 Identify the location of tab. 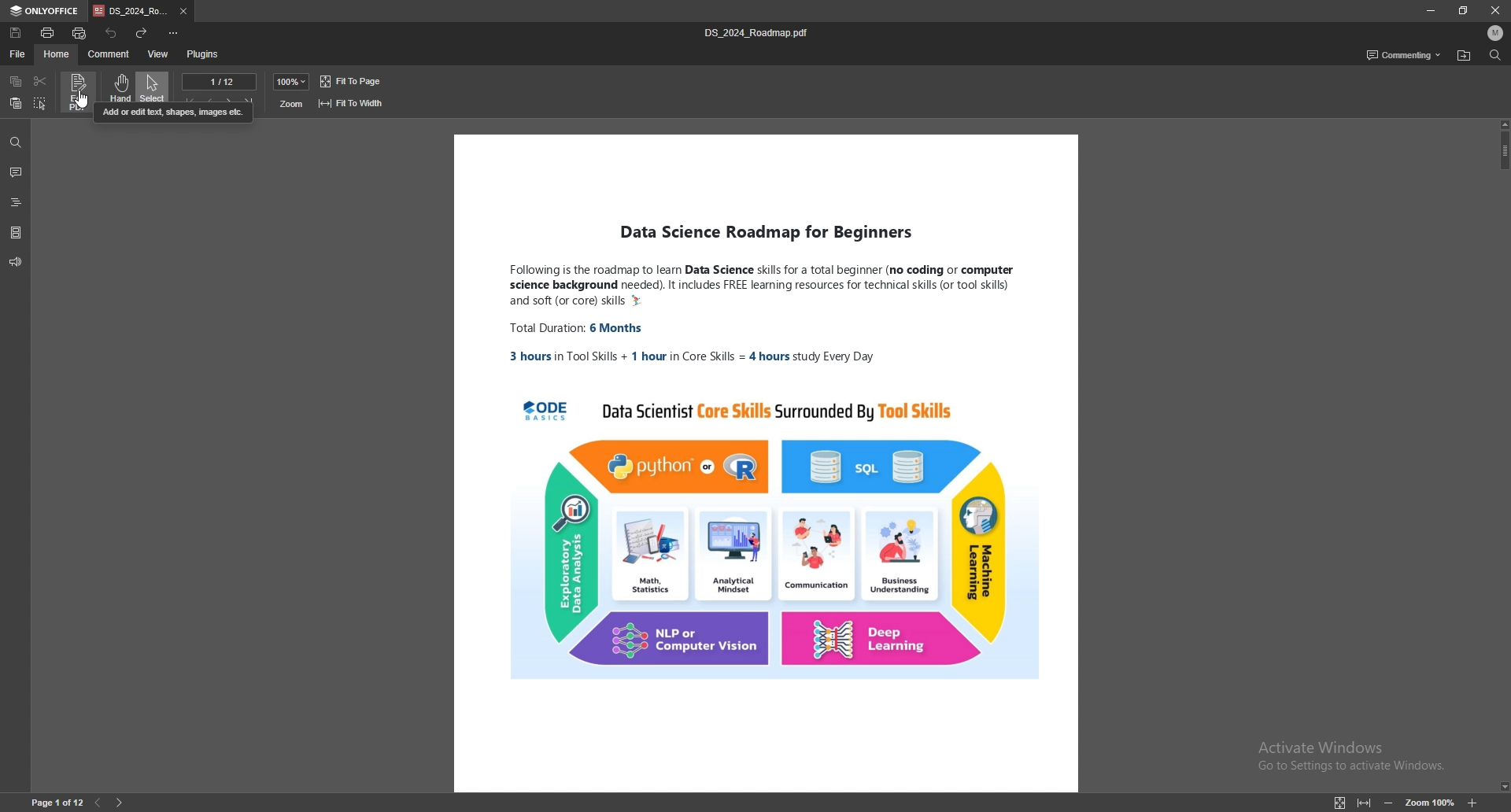
(131, 12).